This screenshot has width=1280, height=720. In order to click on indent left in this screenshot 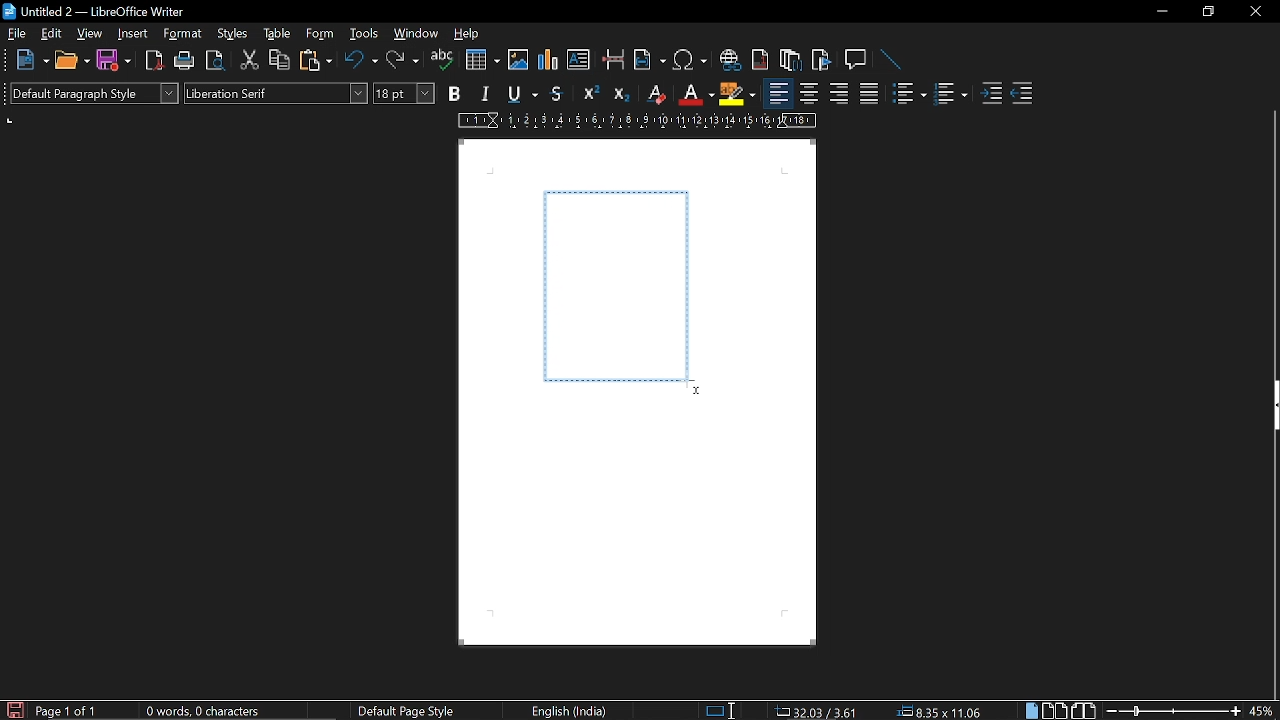, I will do `click(991, 95)`.